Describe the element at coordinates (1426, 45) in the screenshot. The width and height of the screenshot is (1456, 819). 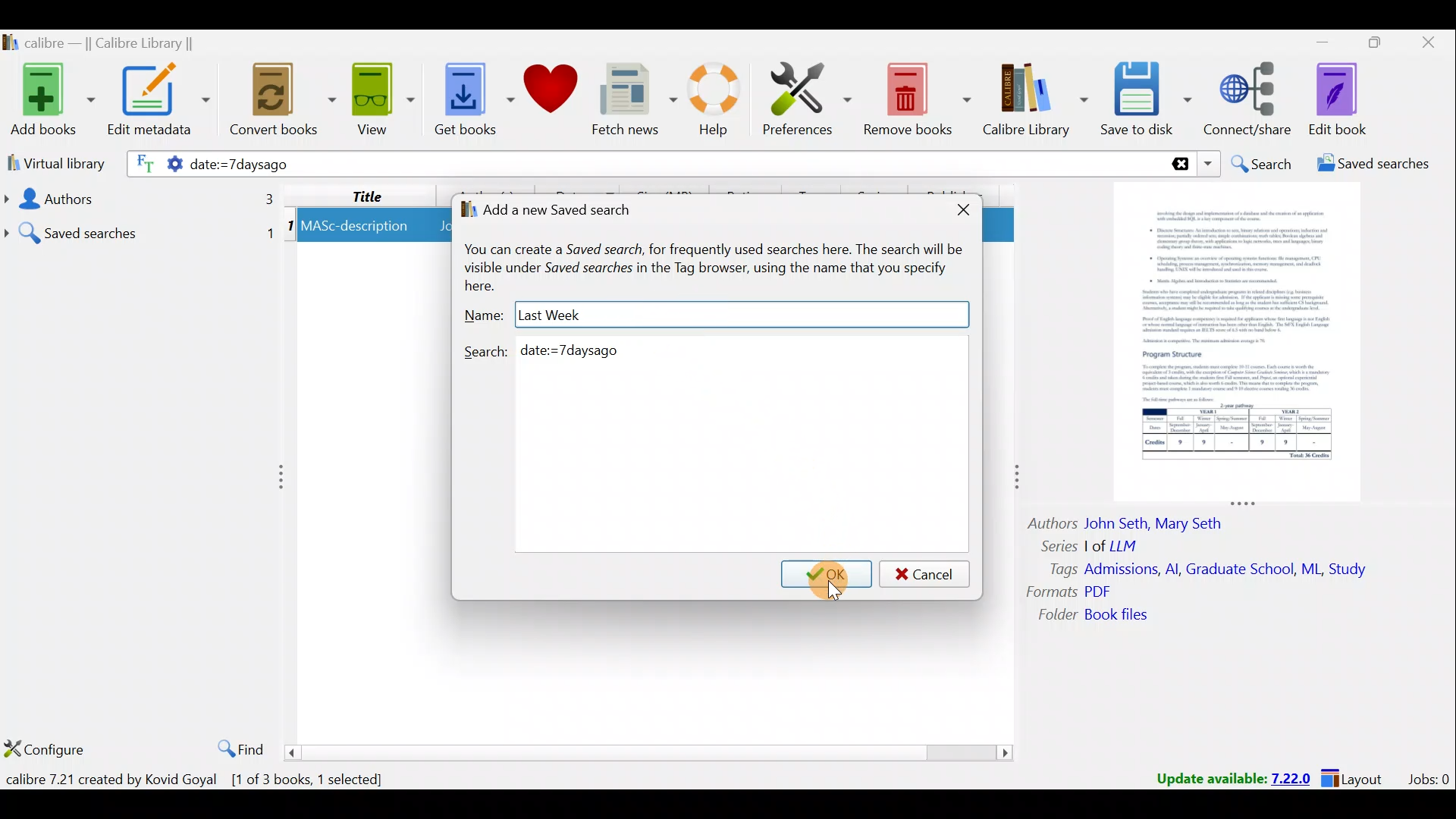
I see `Close` at that location.